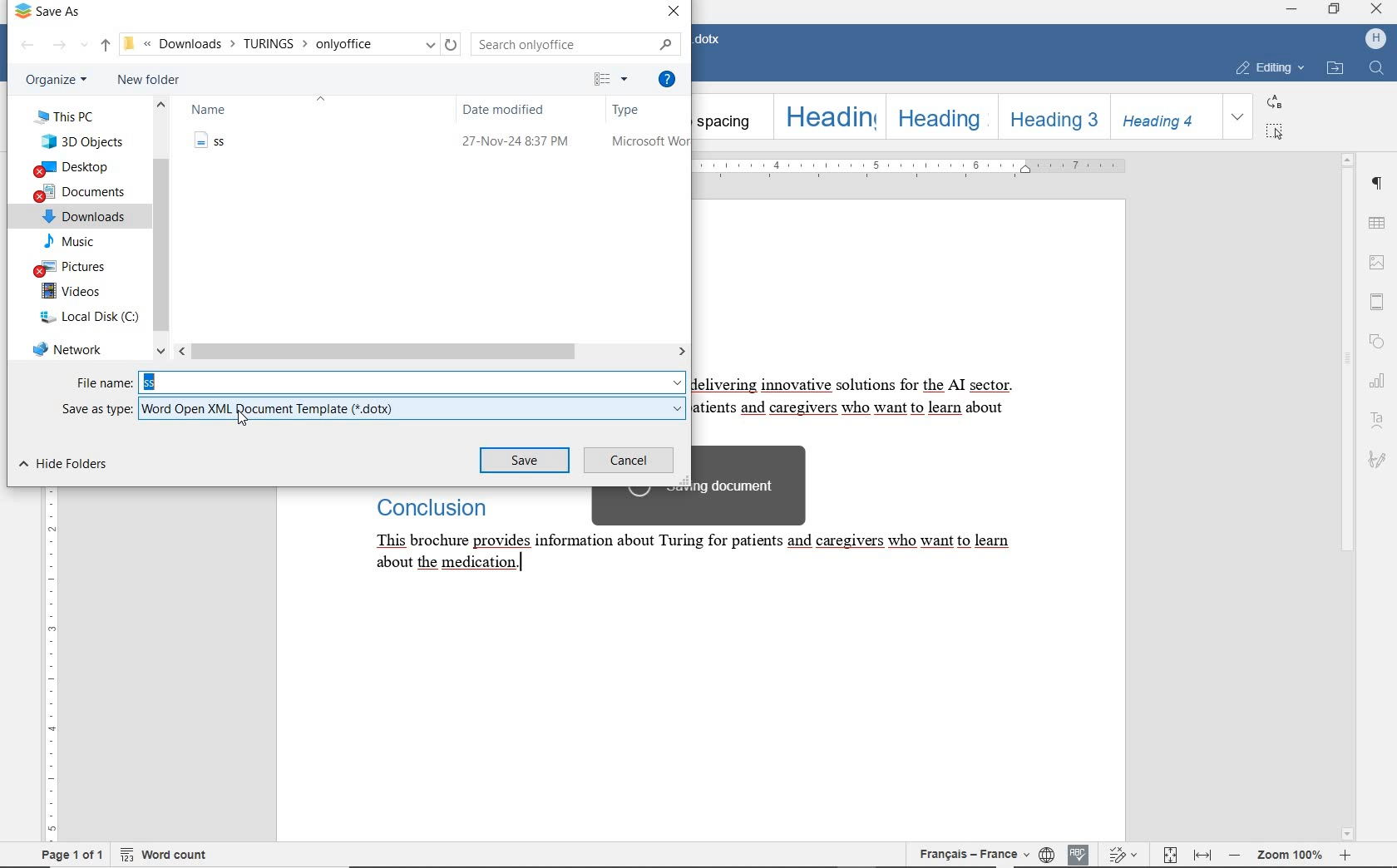  What do you see at coordinates (214, 111) in the screenshot?
I see `NAME` at bounding box center [214, 111].